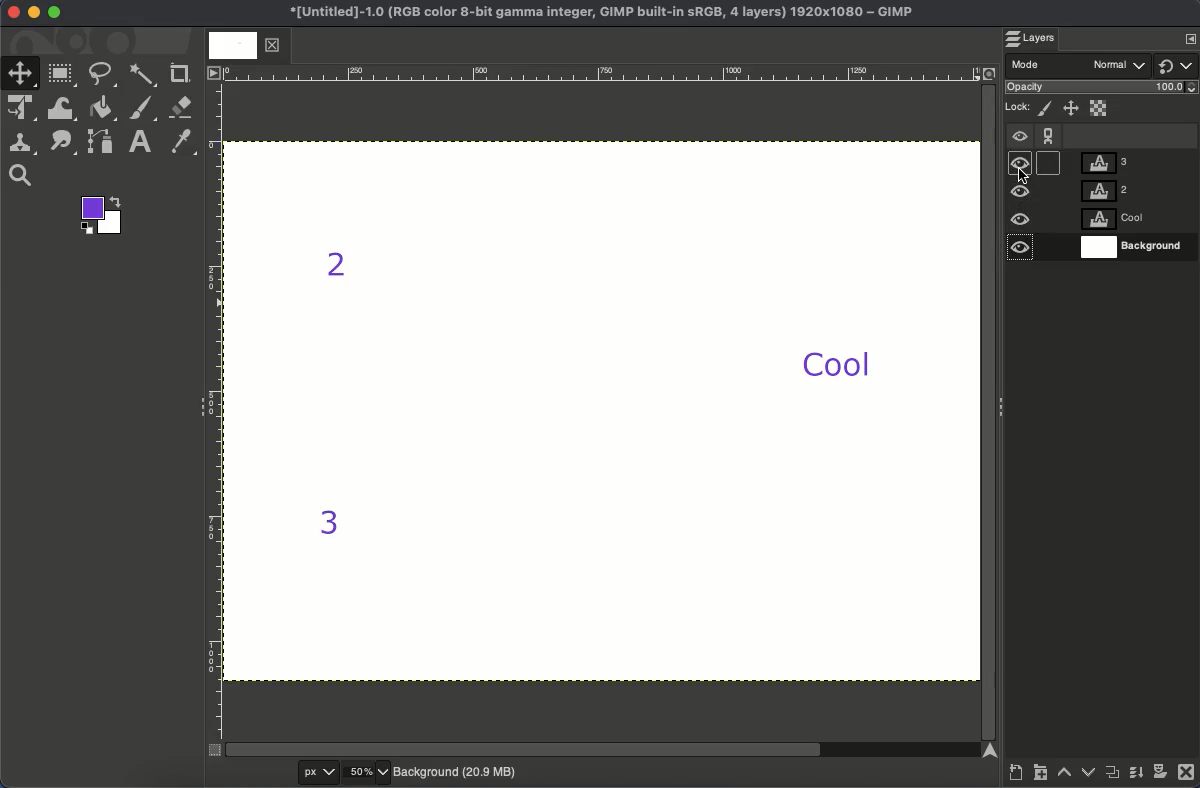 The width and height of the screenshot is (1200, 788). I want to click on Tab, so click(243, 46).